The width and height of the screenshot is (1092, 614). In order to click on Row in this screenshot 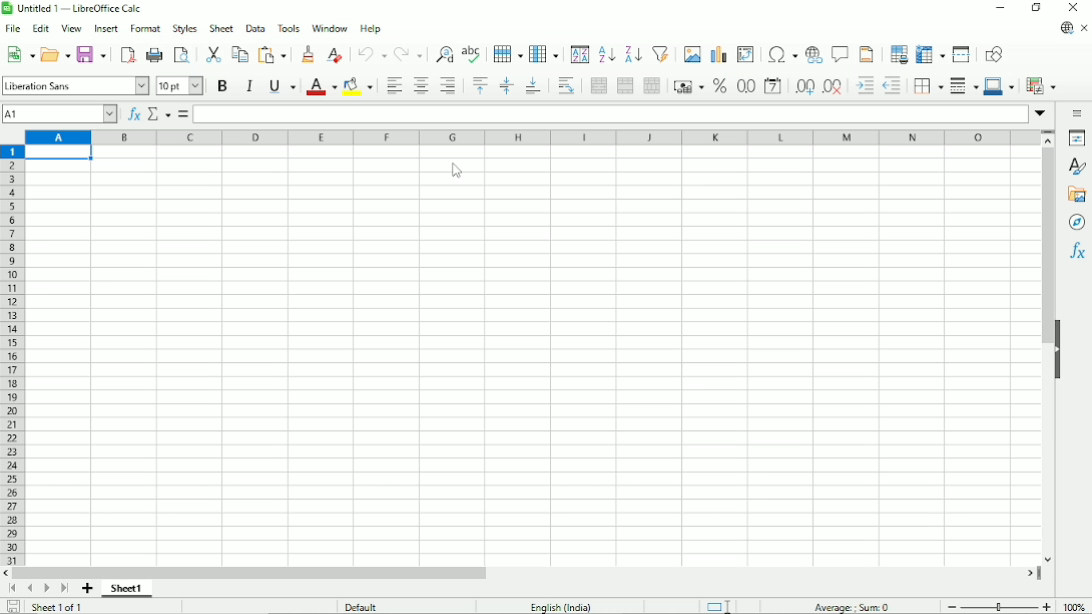, I will do `click(505, 53)`.